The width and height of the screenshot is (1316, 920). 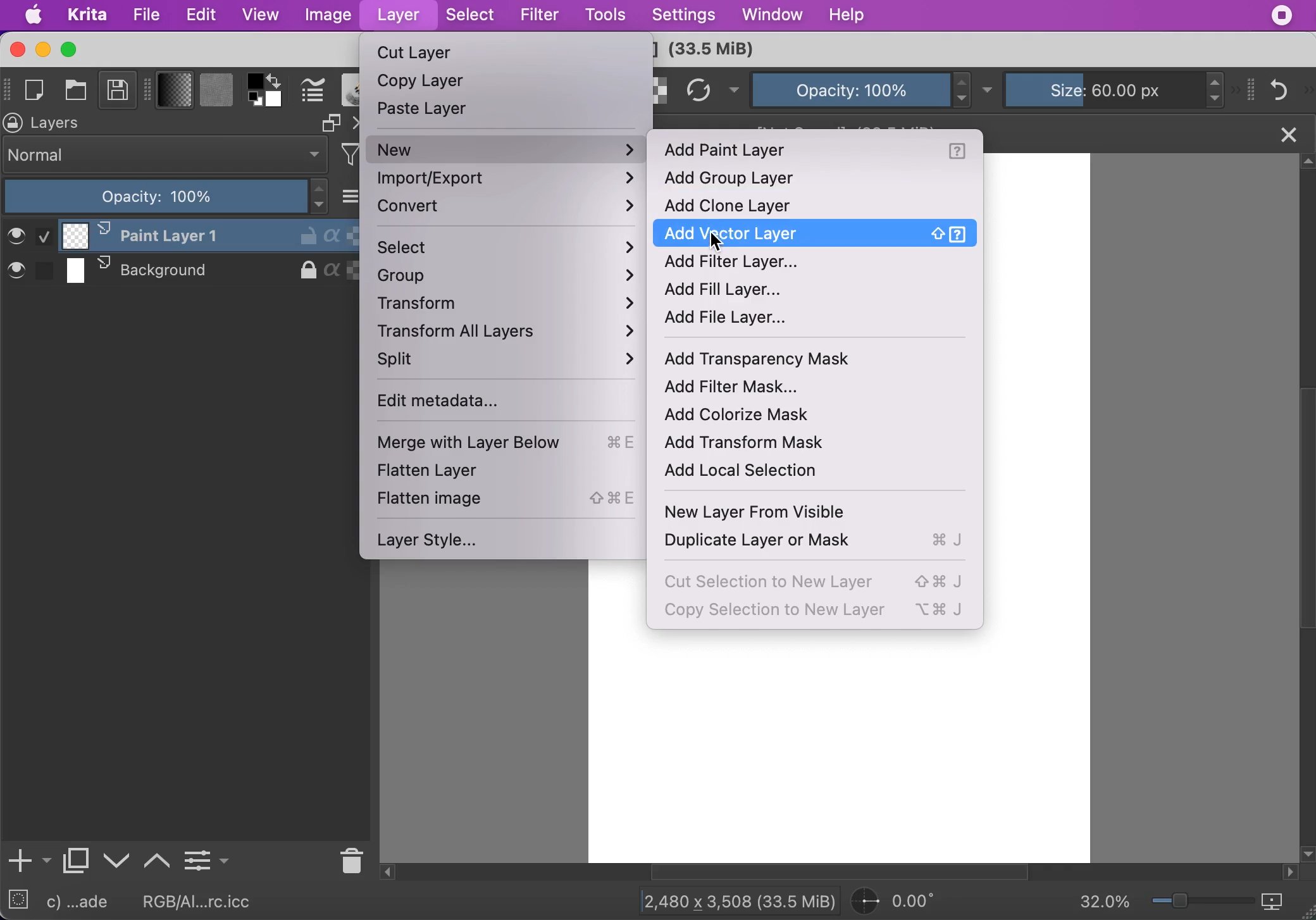 What do you see at coordinates (508, 209) in the screenshot?
I see `convert` at bounding box center [508, 209].